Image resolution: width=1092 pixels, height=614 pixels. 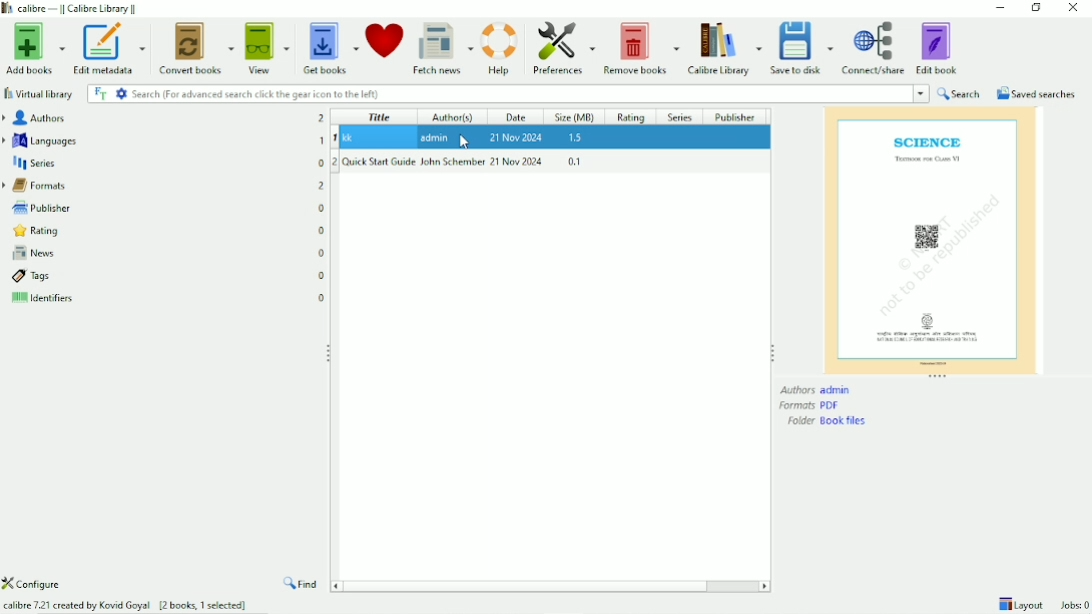 What do you see at coordinates (500, 49) in the screenshot?
I see `Help` at bounding box center [500, 49].